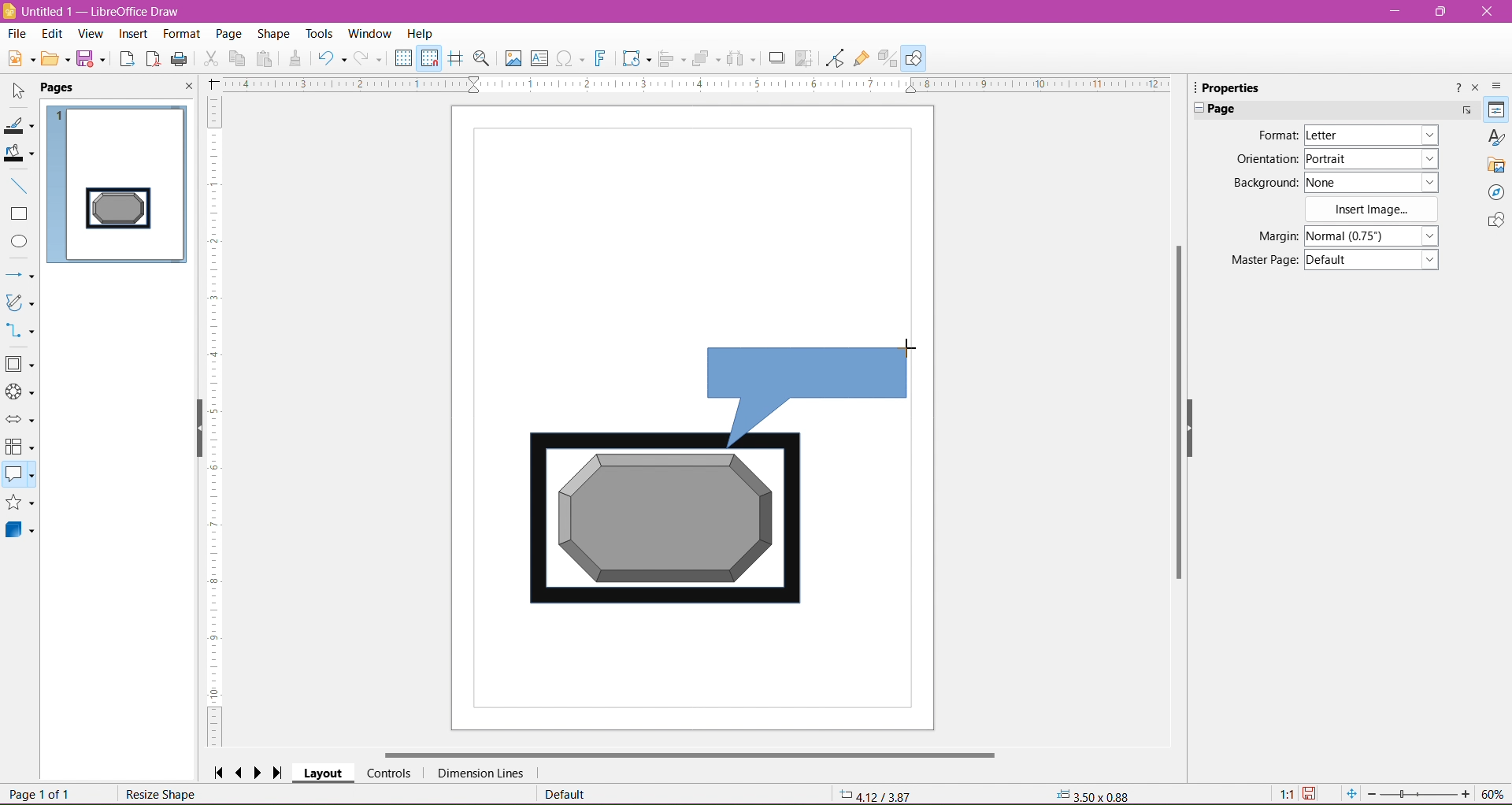 Image resolution: width=1512 pixels, height=805 pixels. What do you see at coordinates (20, 477) in the screenshot?
I see `Callout shapes` at bounding box center [20, 477].